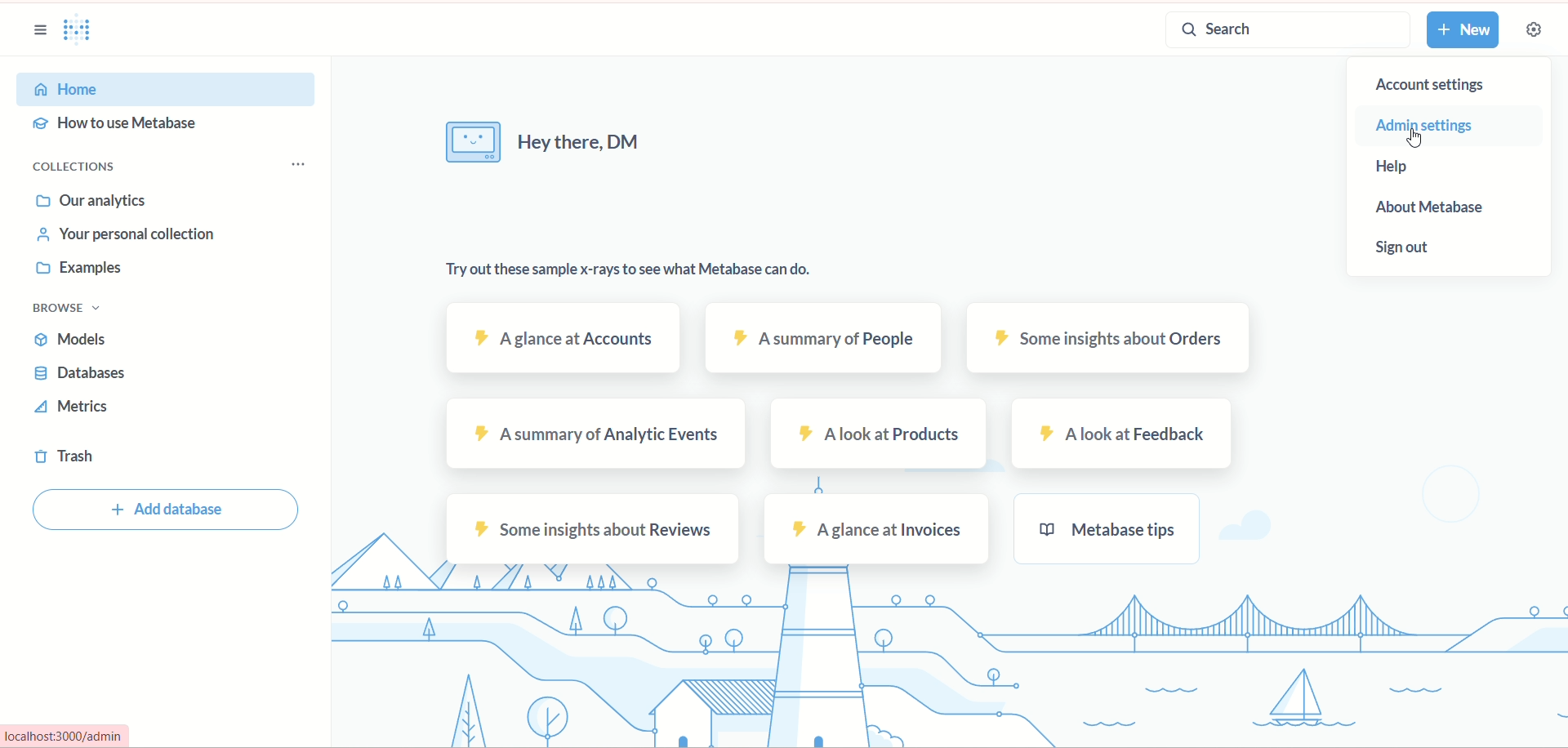  What do you see at coordinates (72, 409) in the screenshot?
I see `metrics` at bounding box center [72, 409].